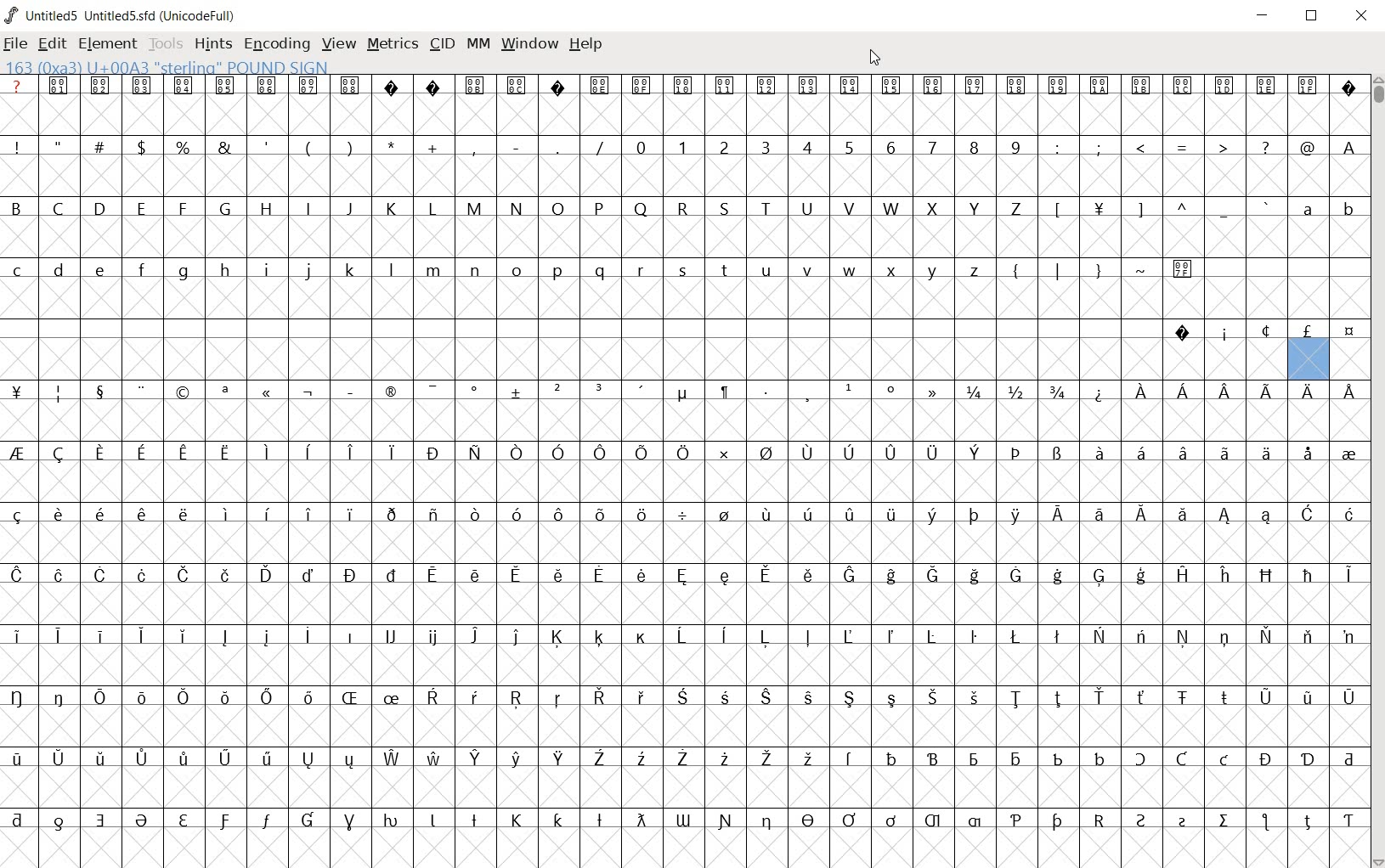 The height and width of the screenshot is (868, 1385). I want to click on Symbol, so click(973, 515).